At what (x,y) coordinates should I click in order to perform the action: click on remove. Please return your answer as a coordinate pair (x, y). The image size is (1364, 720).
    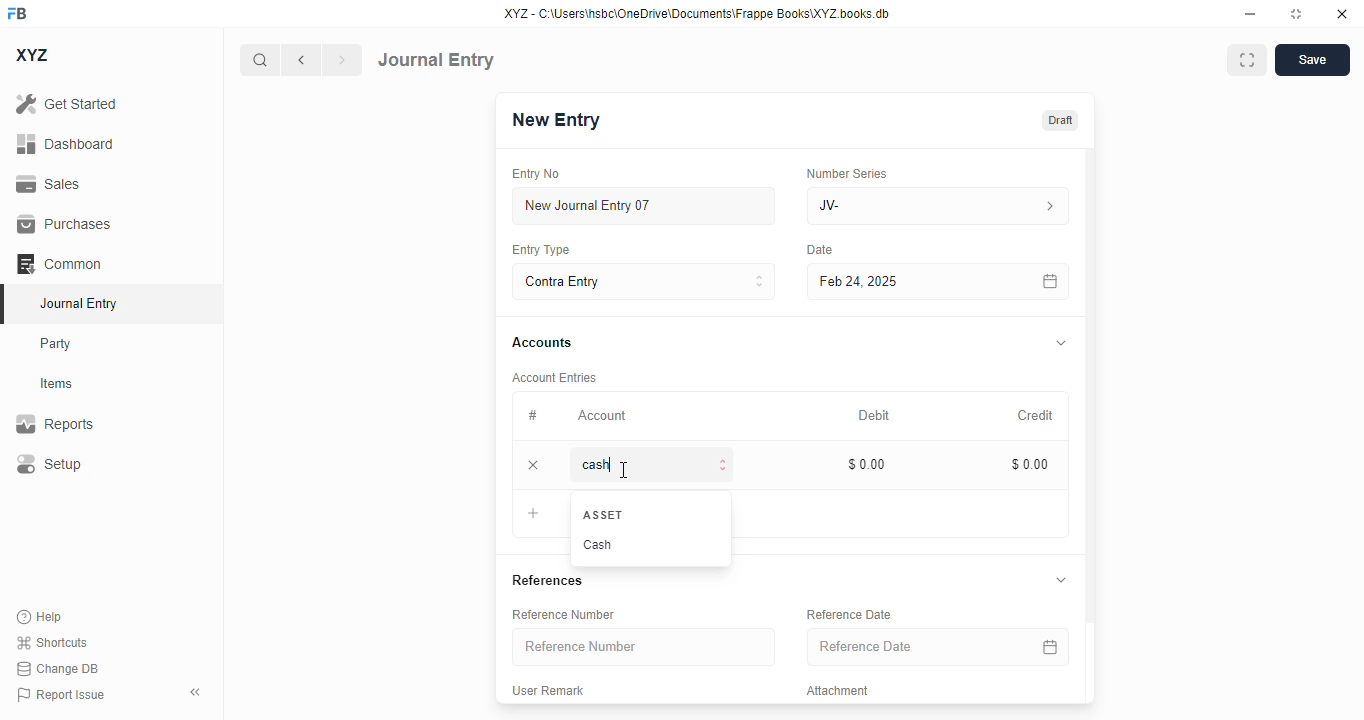
    Looking at the image, I should click on (534, 465).